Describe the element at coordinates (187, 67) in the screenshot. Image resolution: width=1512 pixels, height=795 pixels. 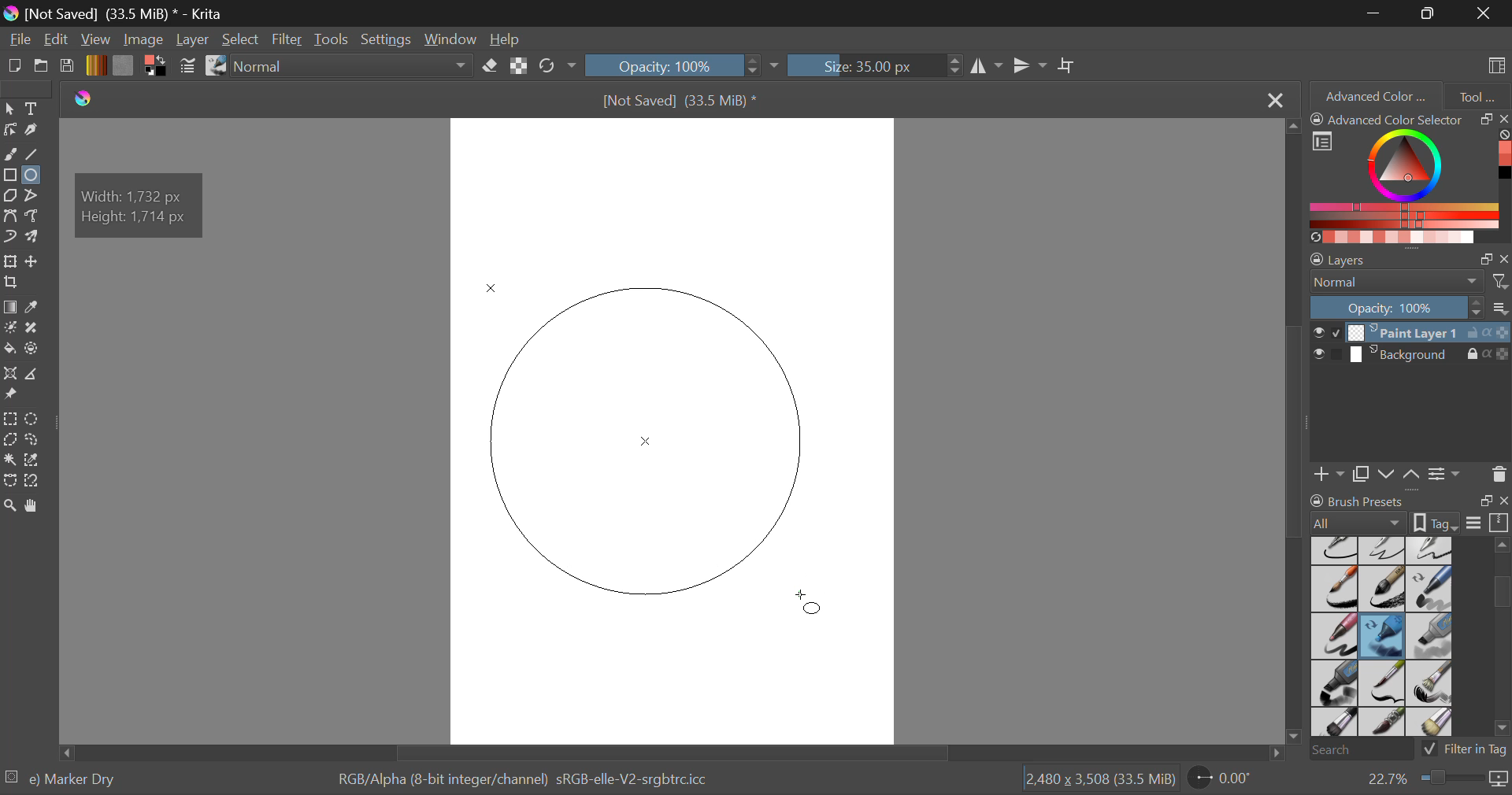
I see `Brush Settings` at that location.